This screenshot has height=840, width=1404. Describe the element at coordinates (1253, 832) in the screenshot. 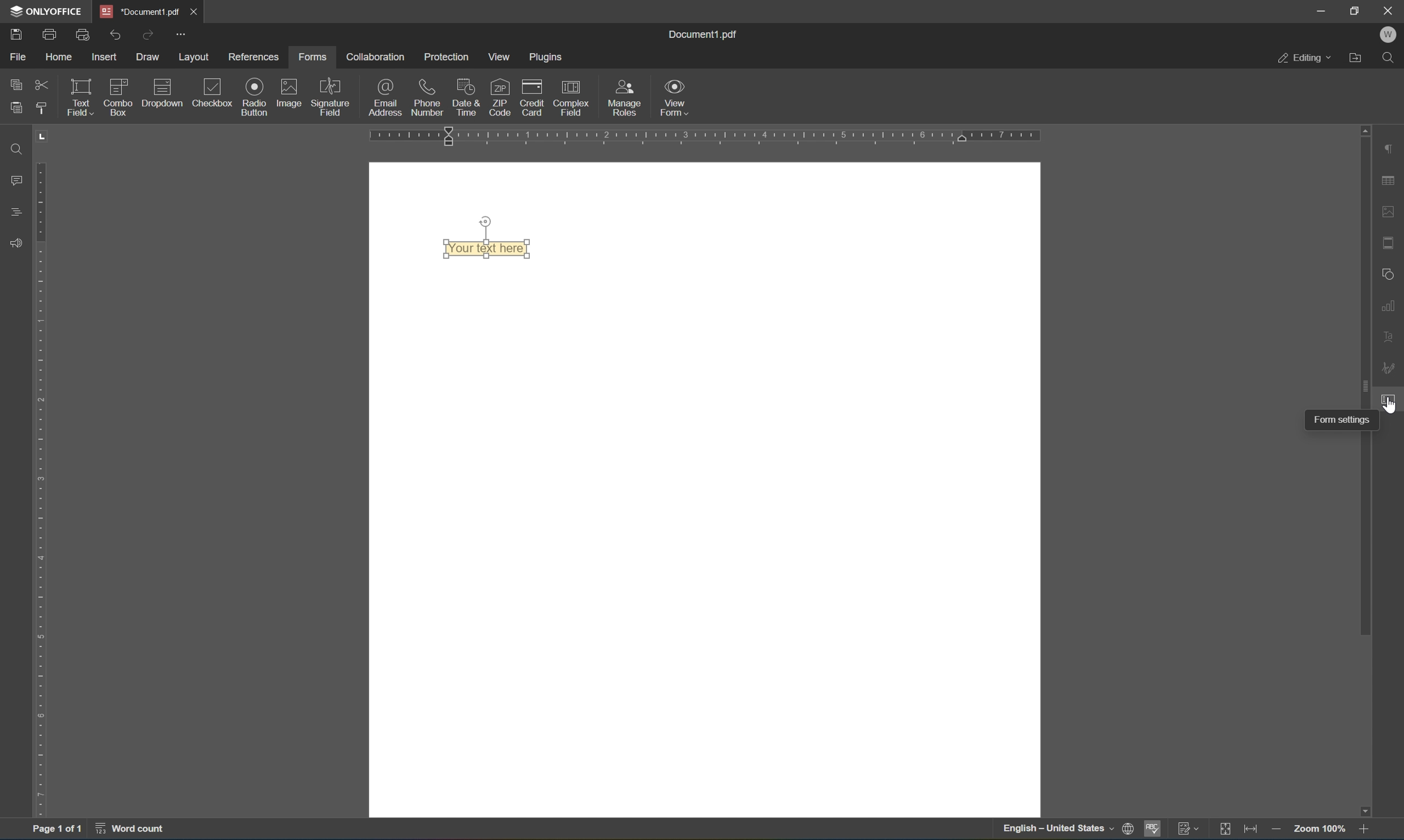

I see `fit to width` at that location.